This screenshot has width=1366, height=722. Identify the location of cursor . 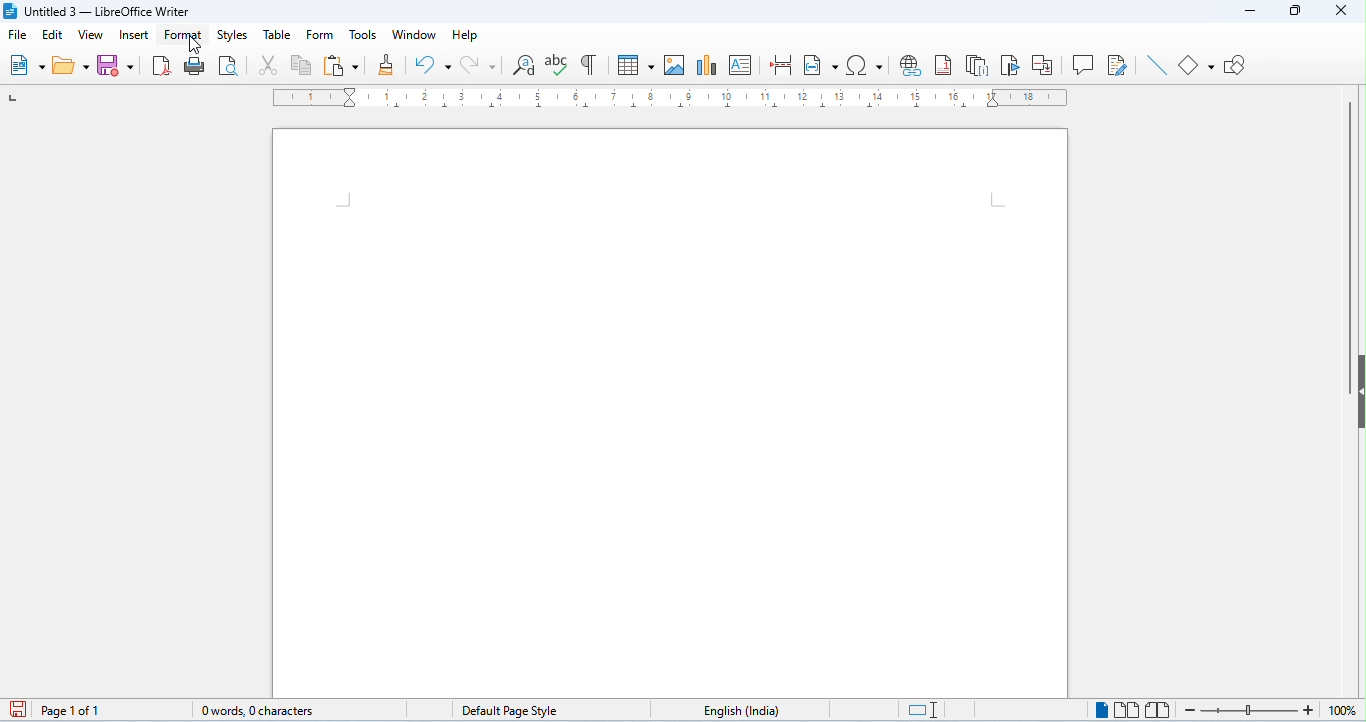
(195, 45).